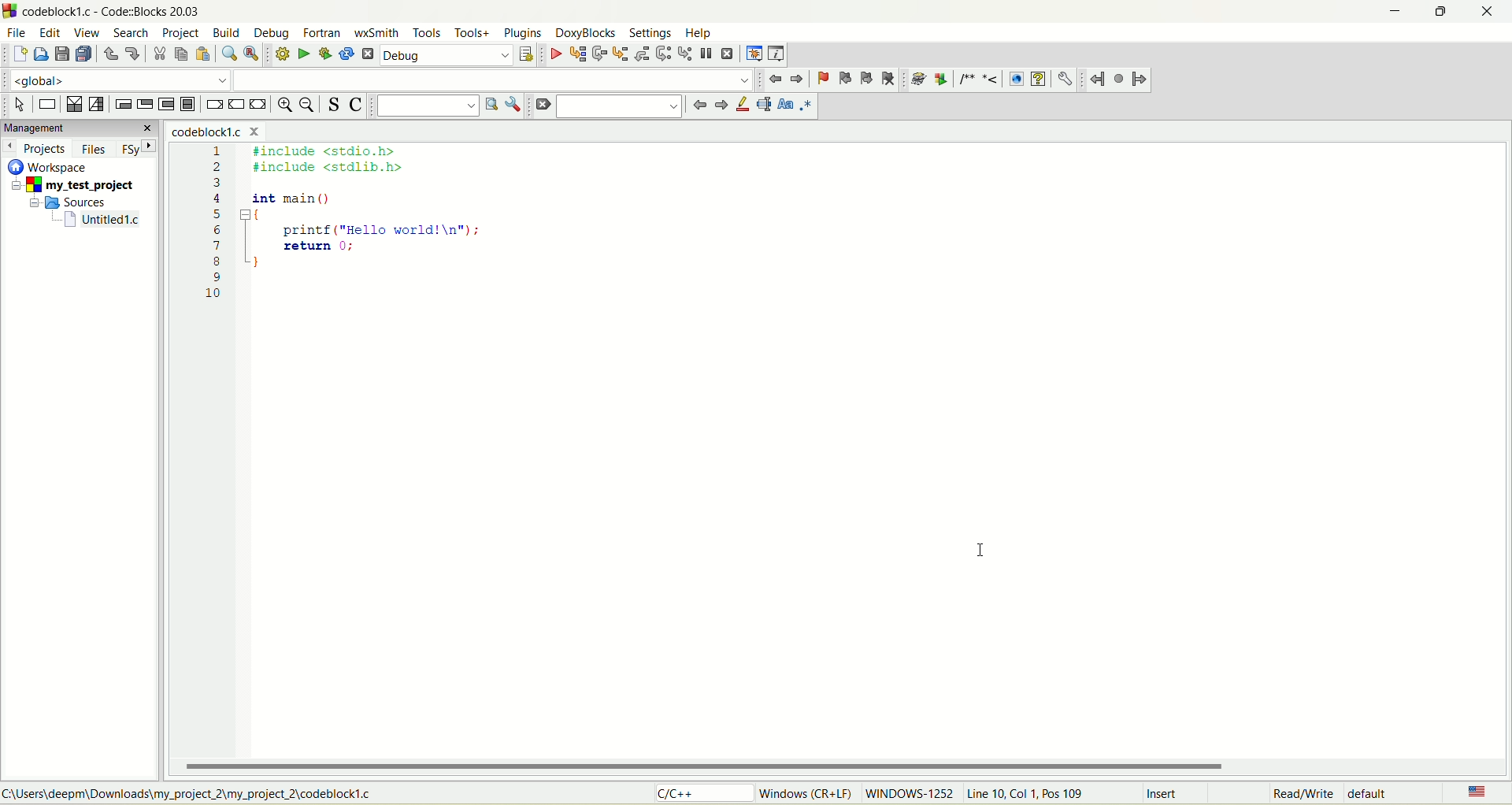  What do you see at coordinates (542, 106) in the screenshot?
I see `clear` at bounding box center [542, 106].